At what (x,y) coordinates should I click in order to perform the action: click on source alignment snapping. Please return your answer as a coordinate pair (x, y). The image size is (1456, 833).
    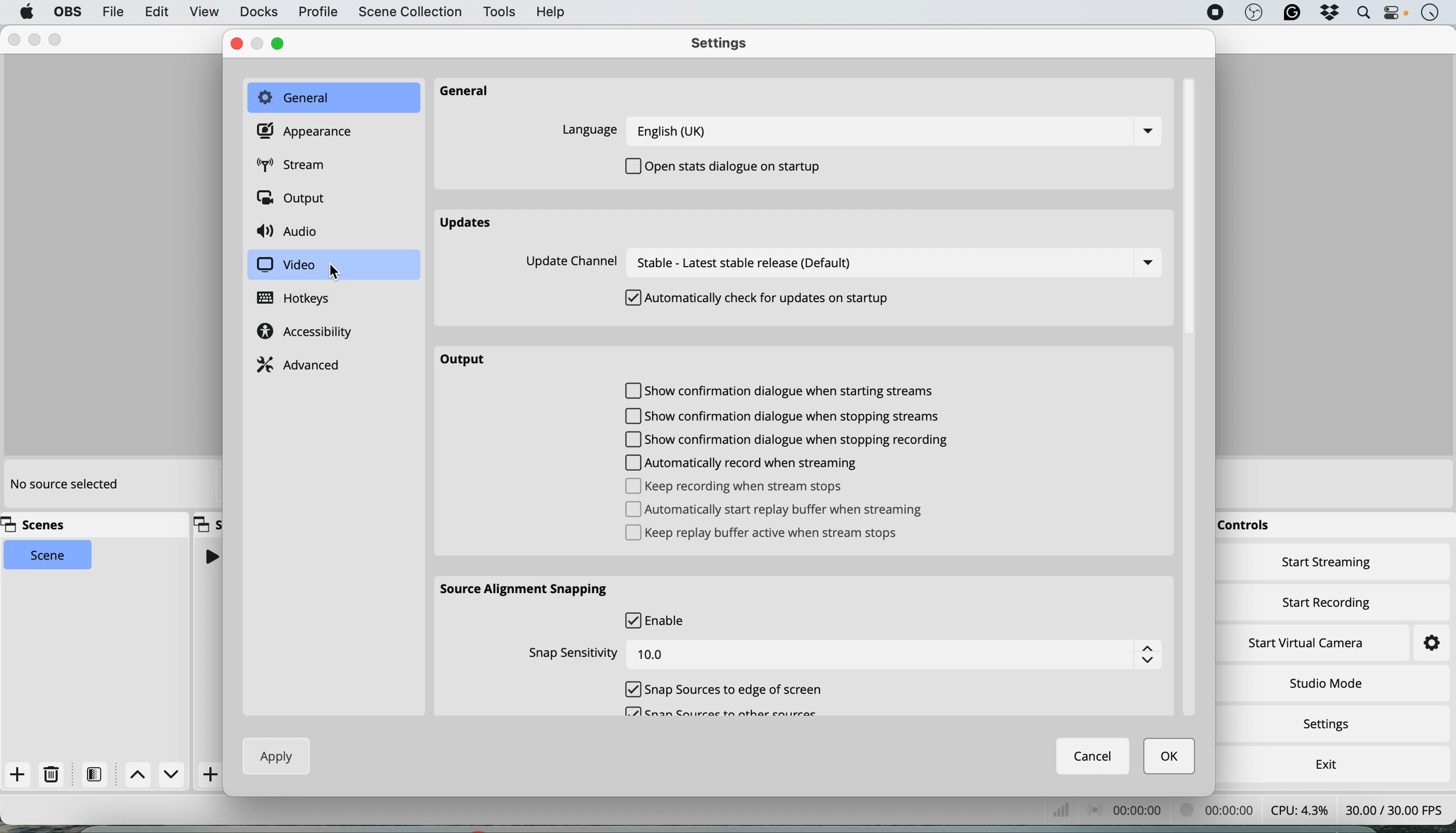
    Looking at the image, I should click on (528, 589).